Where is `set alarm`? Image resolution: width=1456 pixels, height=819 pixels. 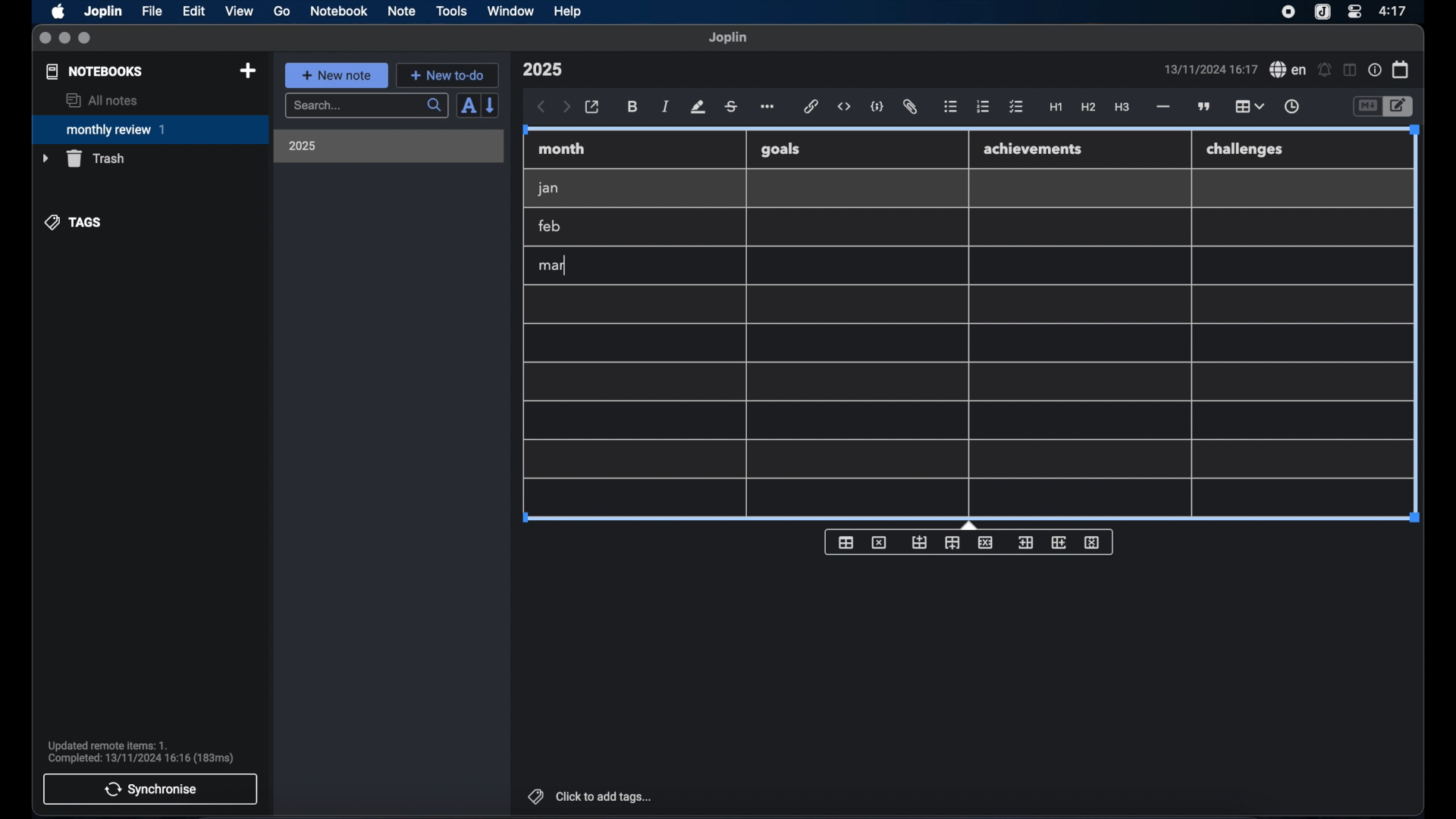
set alarm is located at coordinates (1325, 71).